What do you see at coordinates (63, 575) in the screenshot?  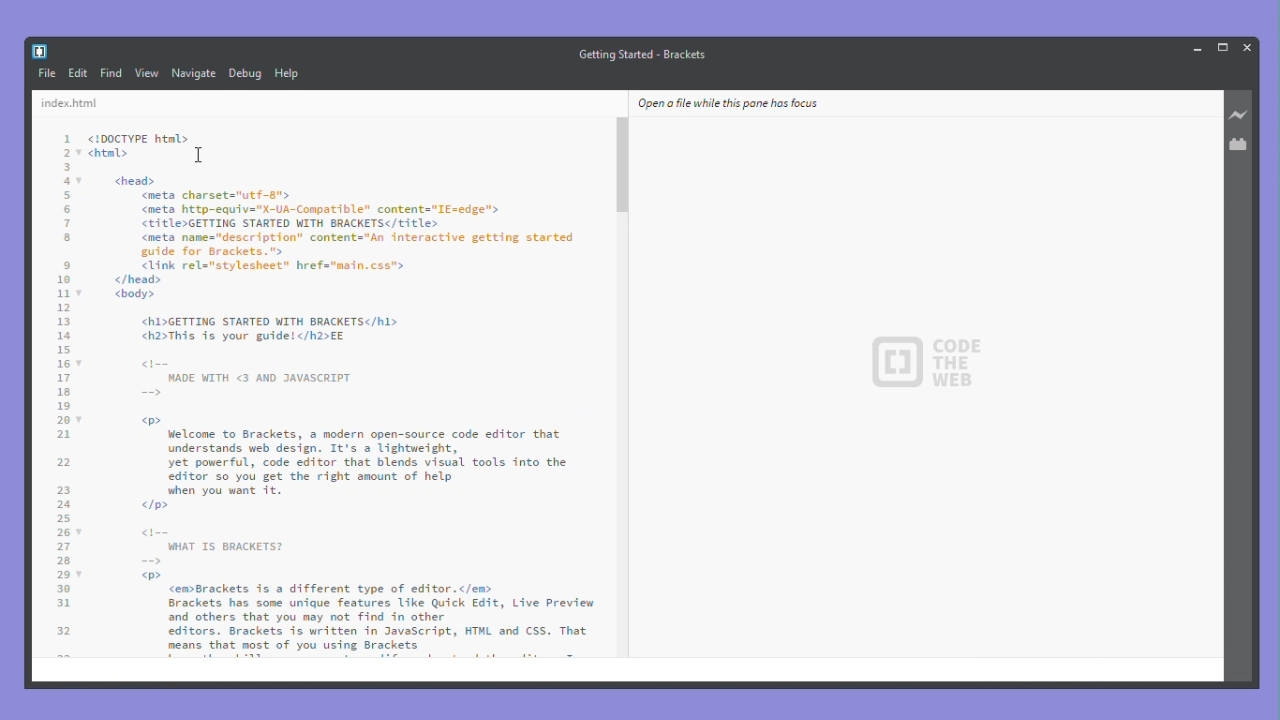 I see `29` at bounding box center [63, 575].